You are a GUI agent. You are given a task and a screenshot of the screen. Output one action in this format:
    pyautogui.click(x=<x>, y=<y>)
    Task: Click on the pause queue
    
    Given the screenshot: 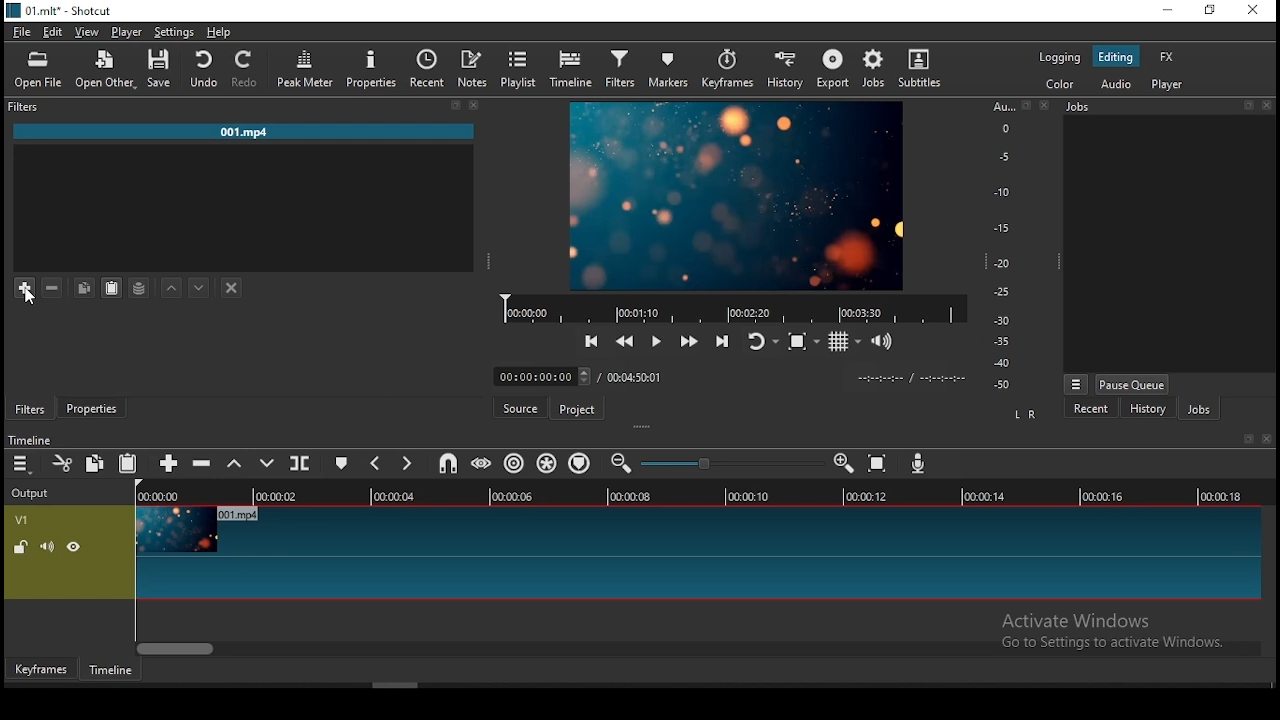 What is the action you would take?
    pyautogui.click(x=1133, y=386)
    